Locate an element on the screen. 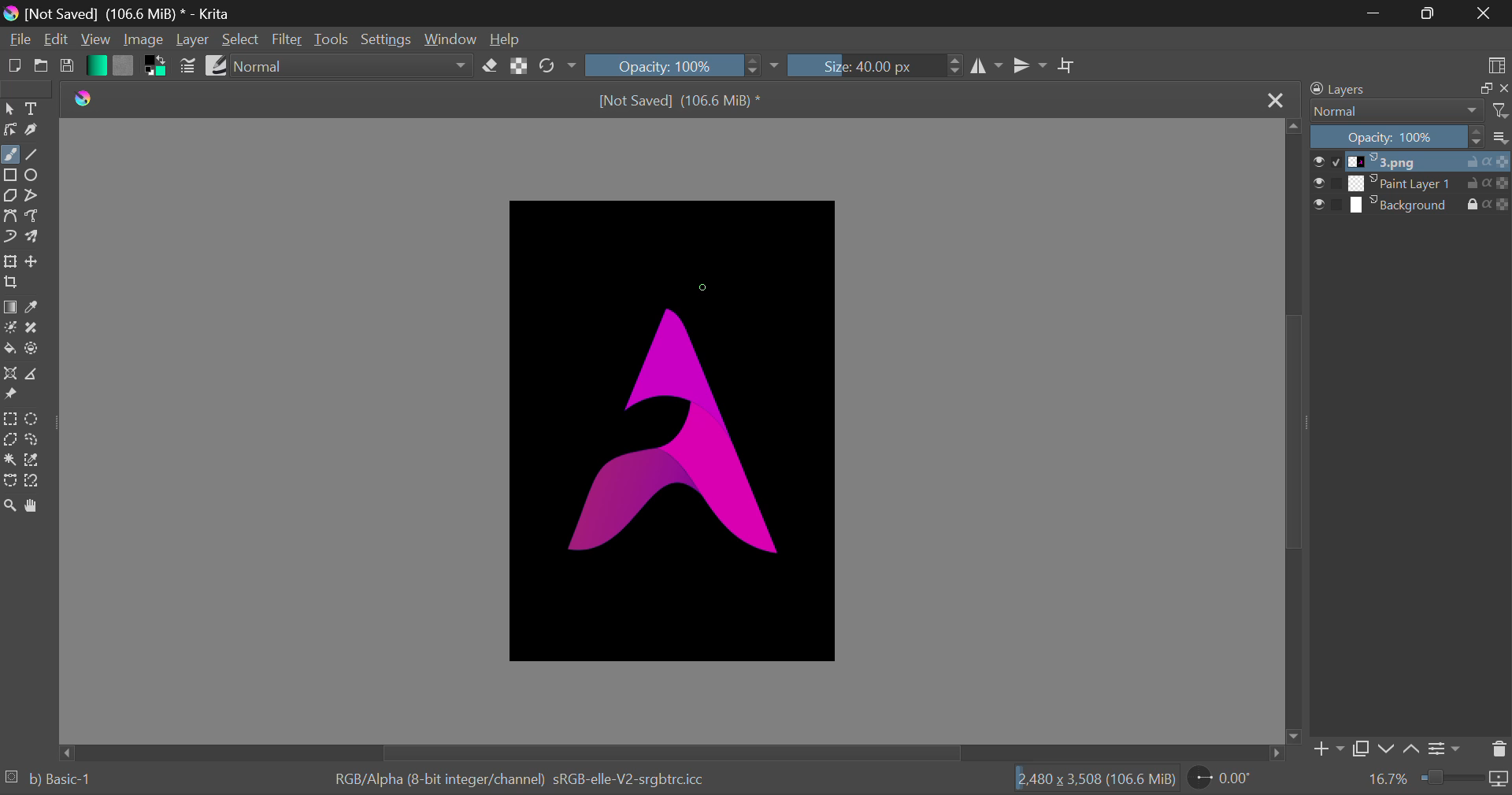  Assistant Tool is located at coordinates (9, 375).